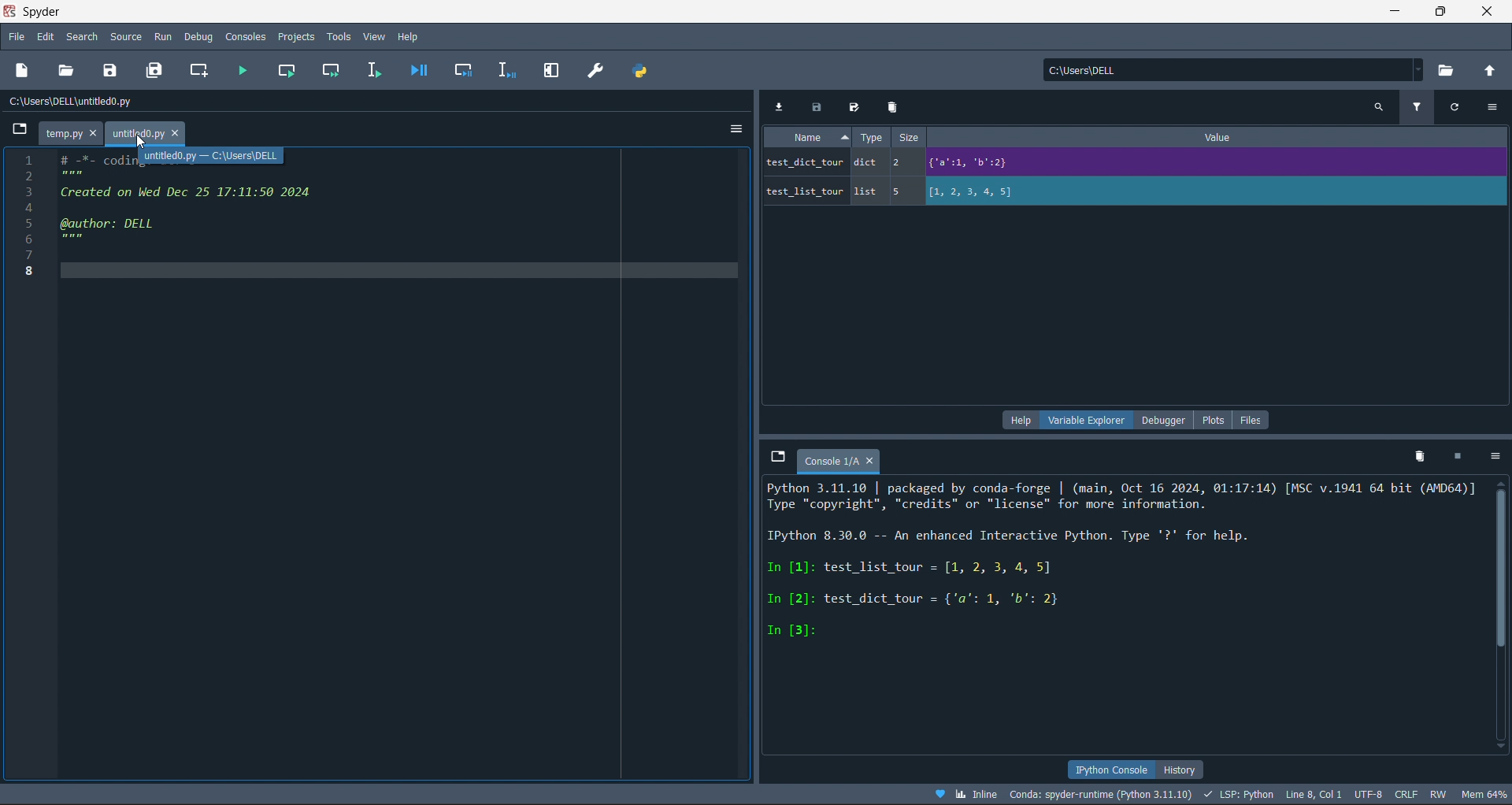  Describe the element at coordinates (1102, 793) in the screenshot. I see `Conda: Spyder-runtime (Python 3.11.10)` at that location.